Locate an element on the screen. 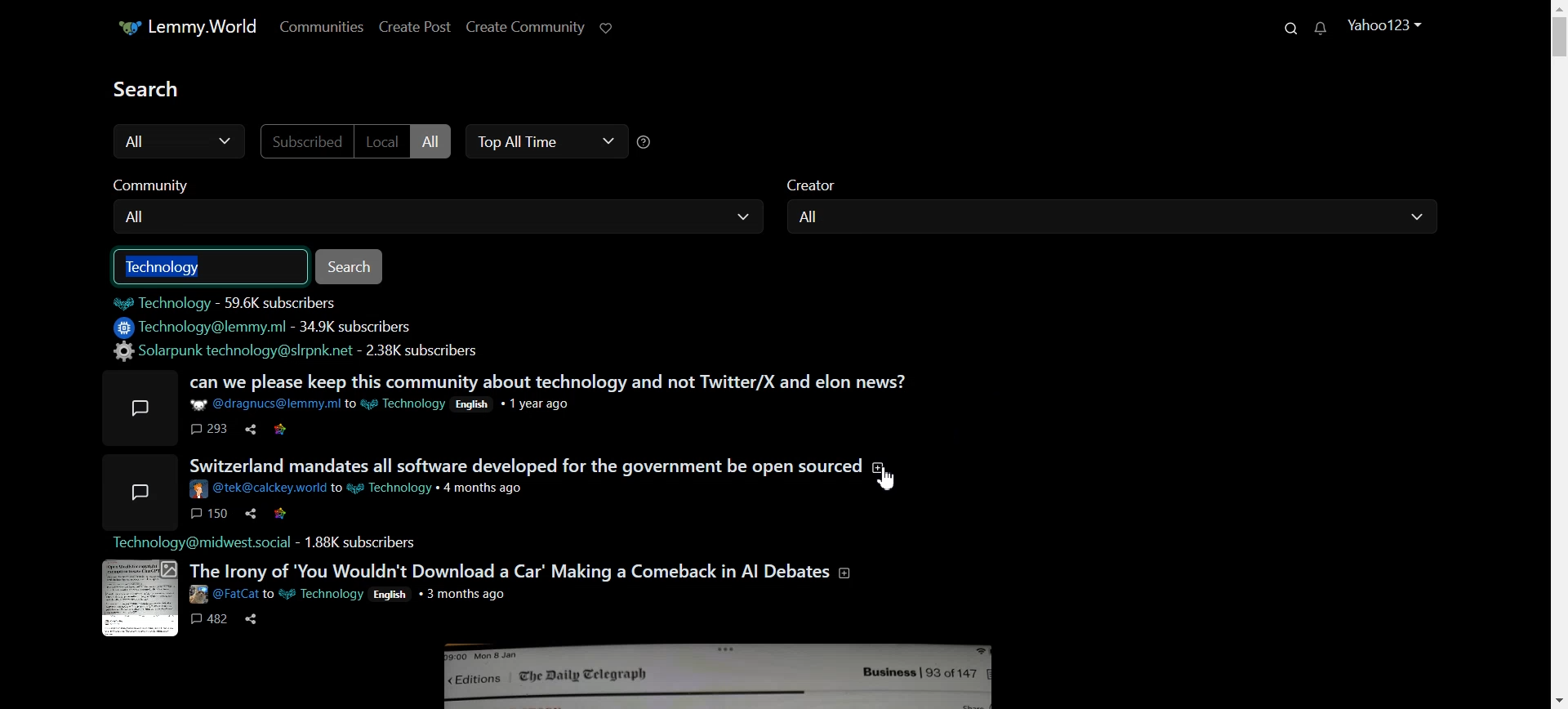 The image size is (1568, 709). sorting Time is located at coordinates (650, 142).